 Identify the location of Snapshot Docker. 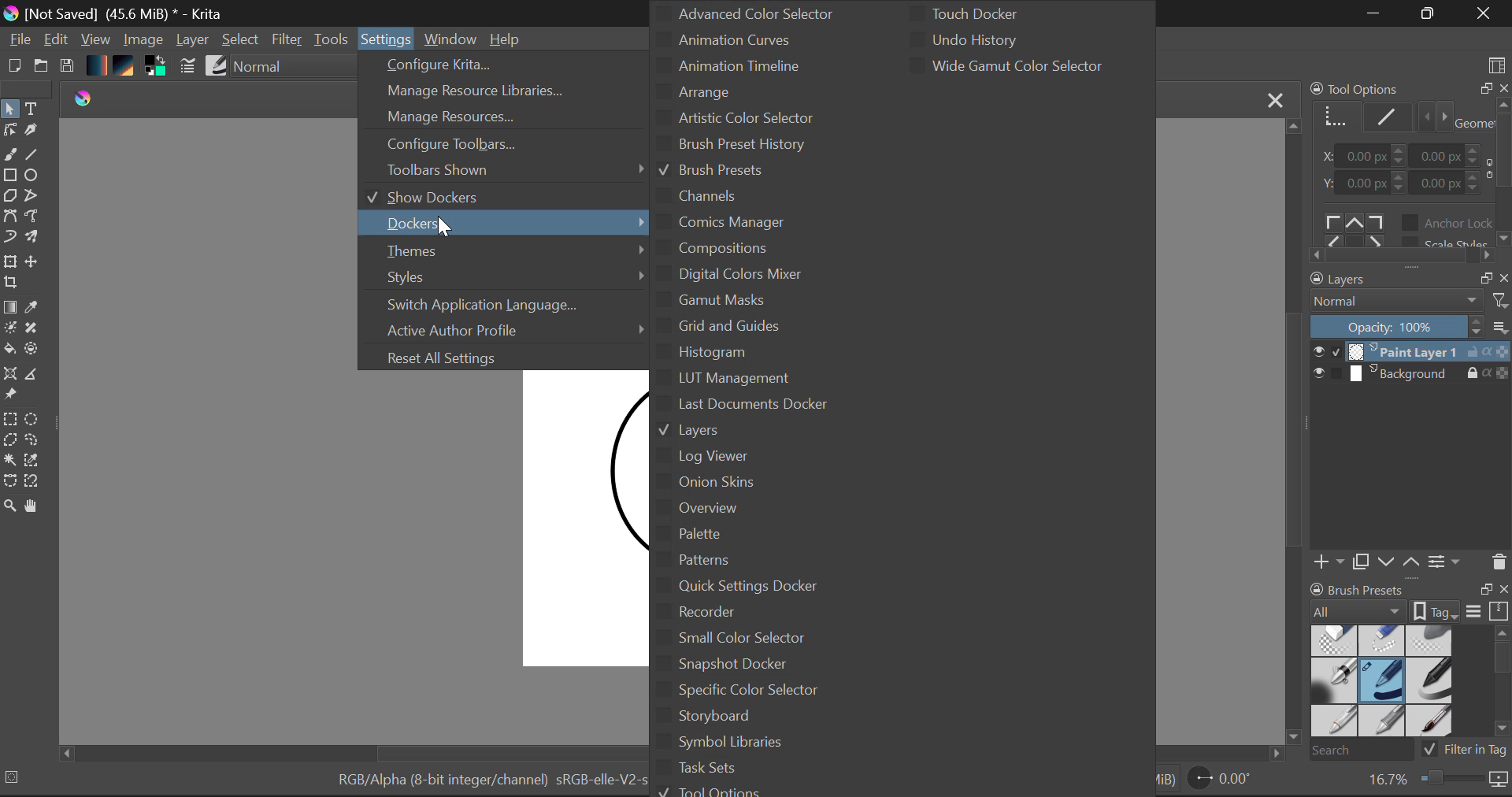
(757, 665).